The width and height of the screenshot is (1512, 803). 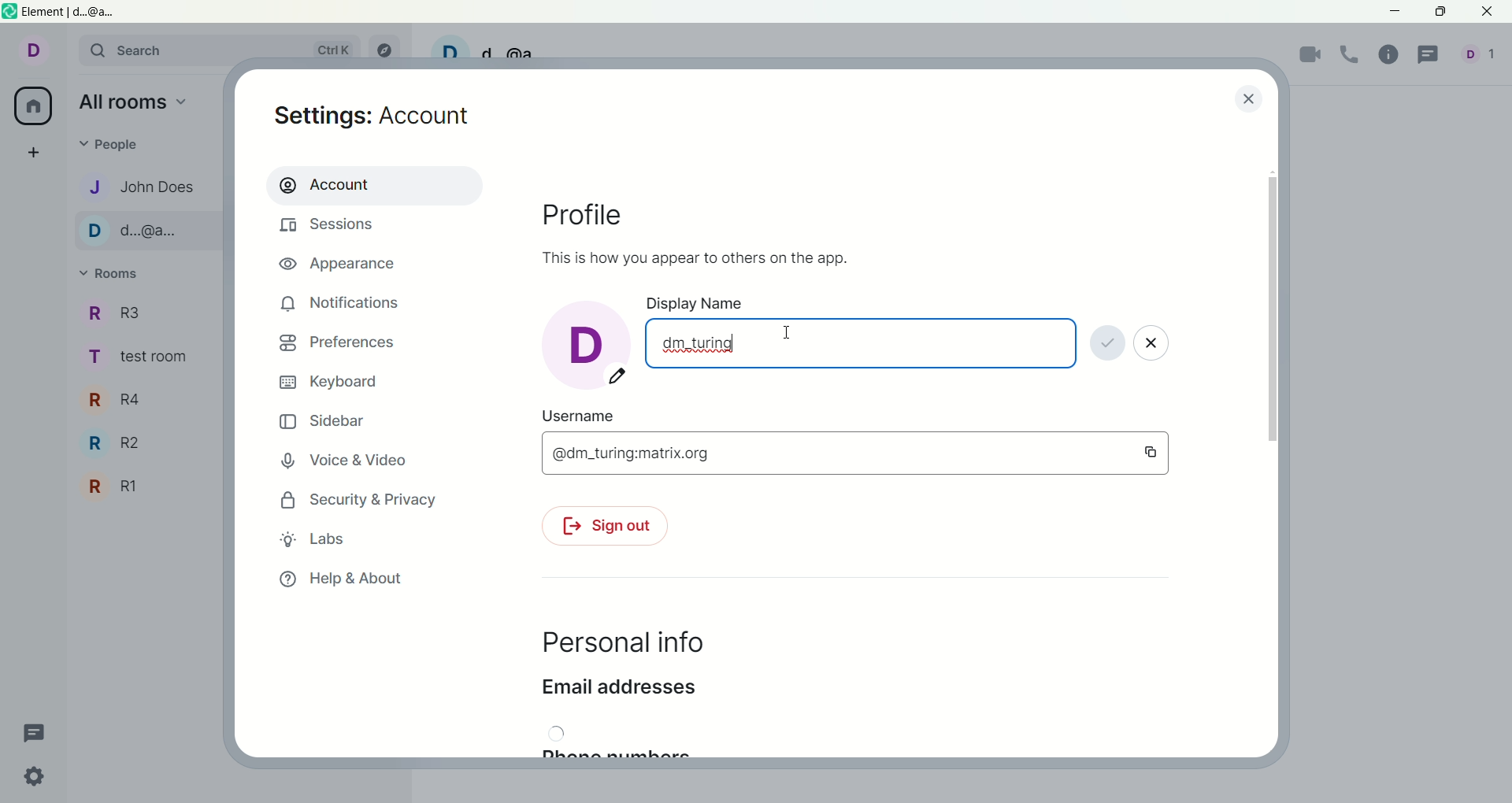 I want to click on R3, so click(x=125, y=313).